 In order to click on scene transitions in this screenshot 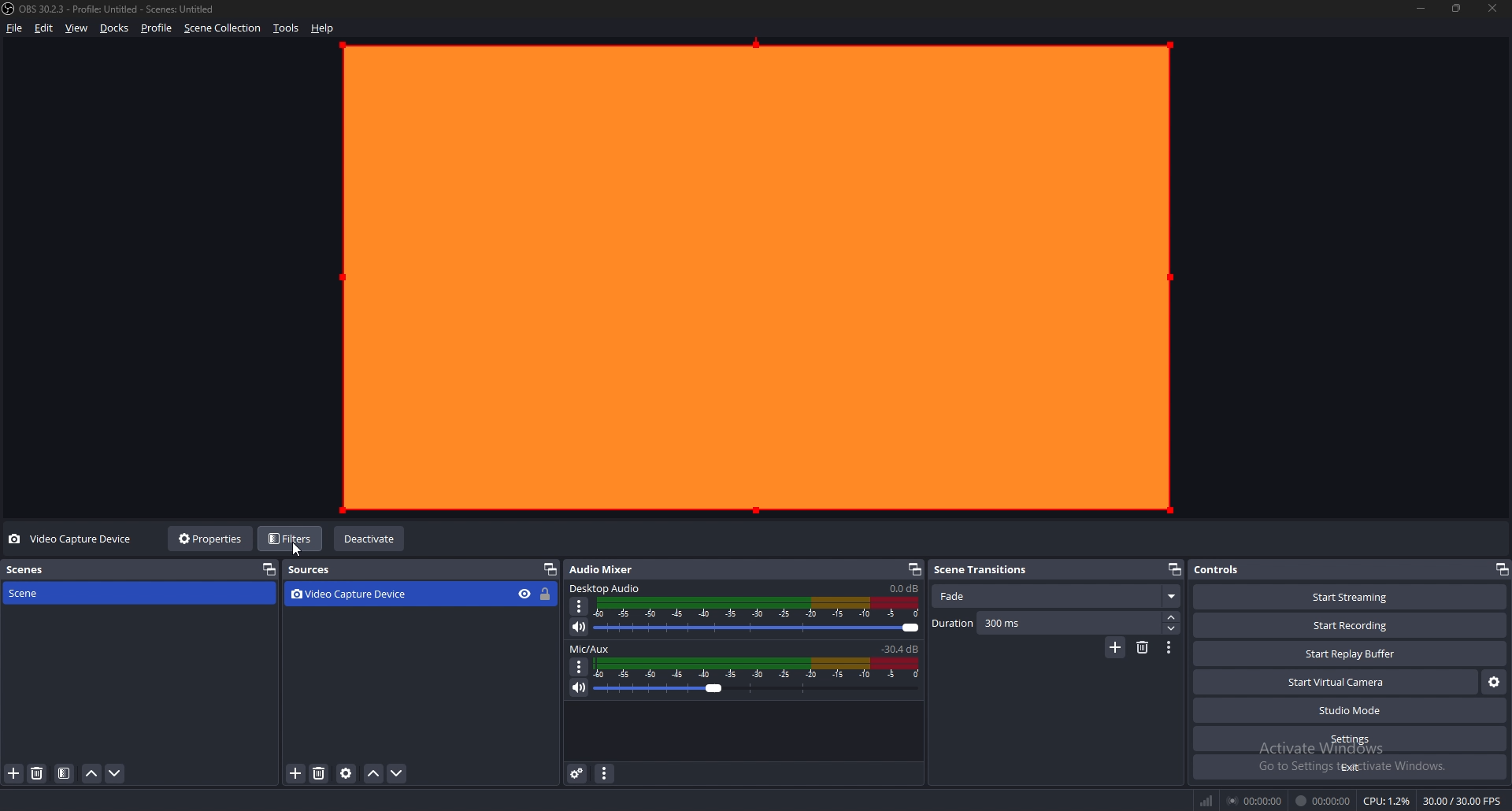, I will do `click(987, 568)`.